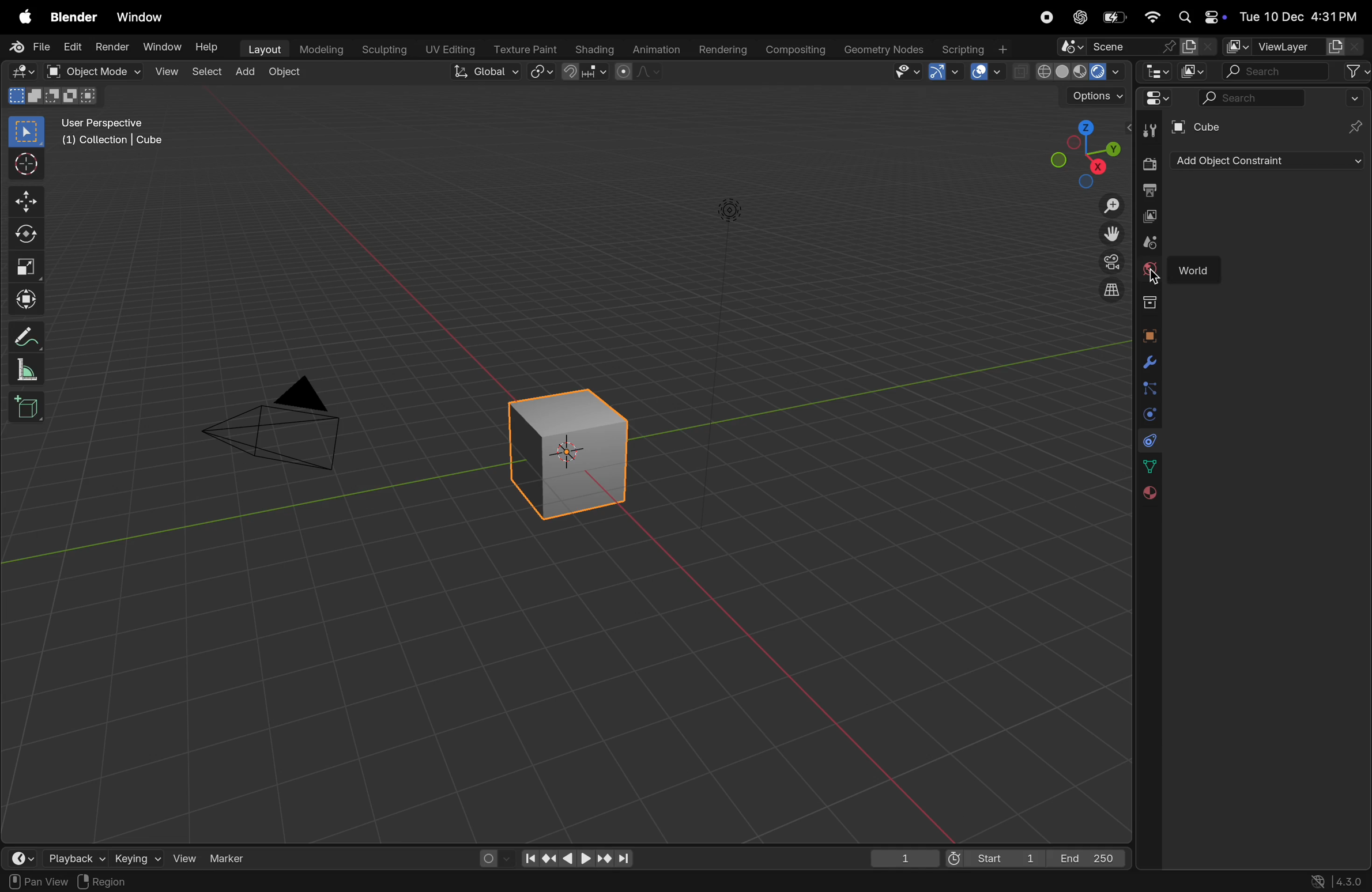  What do you see at coordinates (27, 266) in the screenshot?
I see `shape` at bounding box center [27, 266].